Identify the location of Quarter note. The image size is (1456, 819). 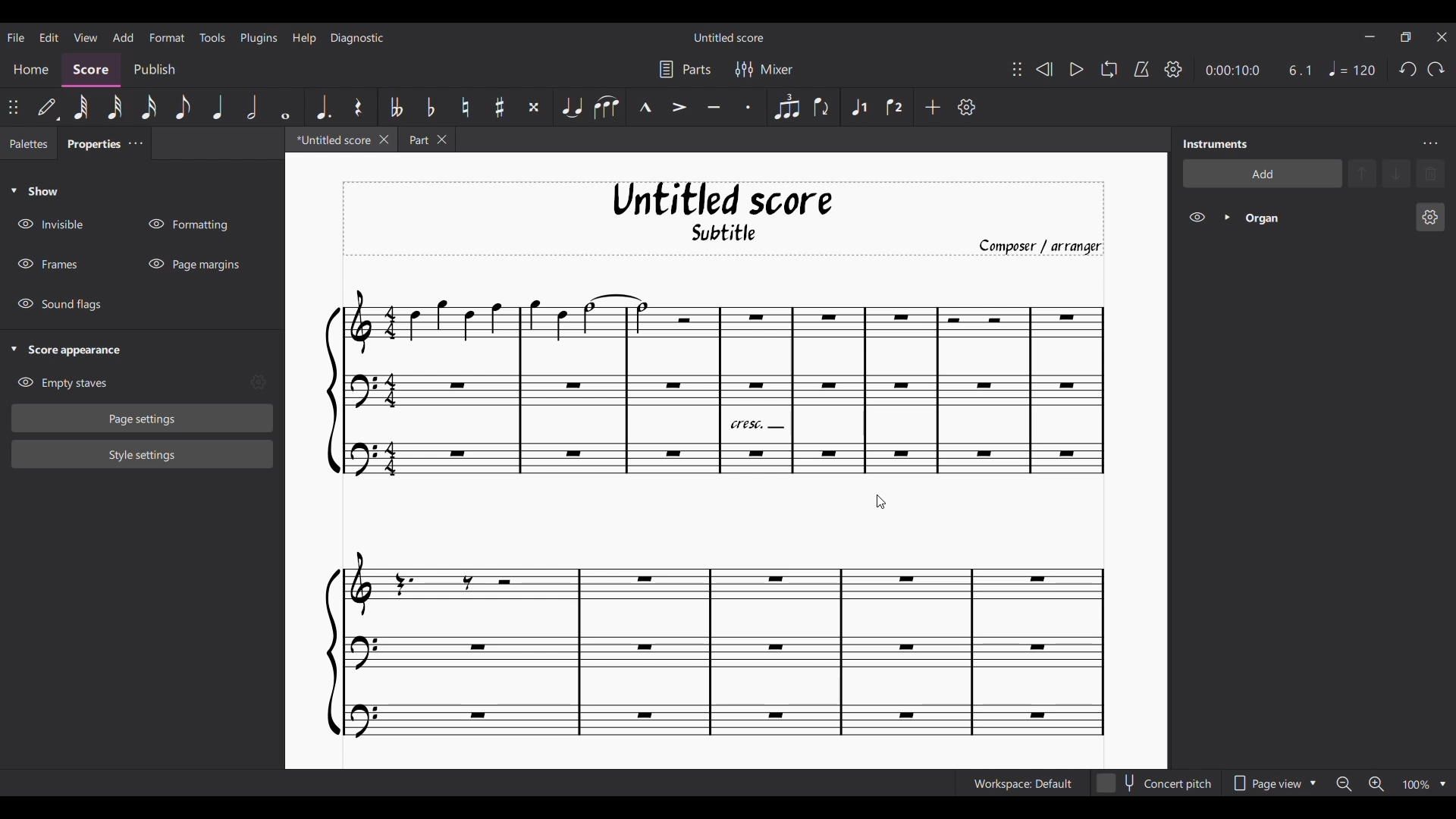
(218, 107).